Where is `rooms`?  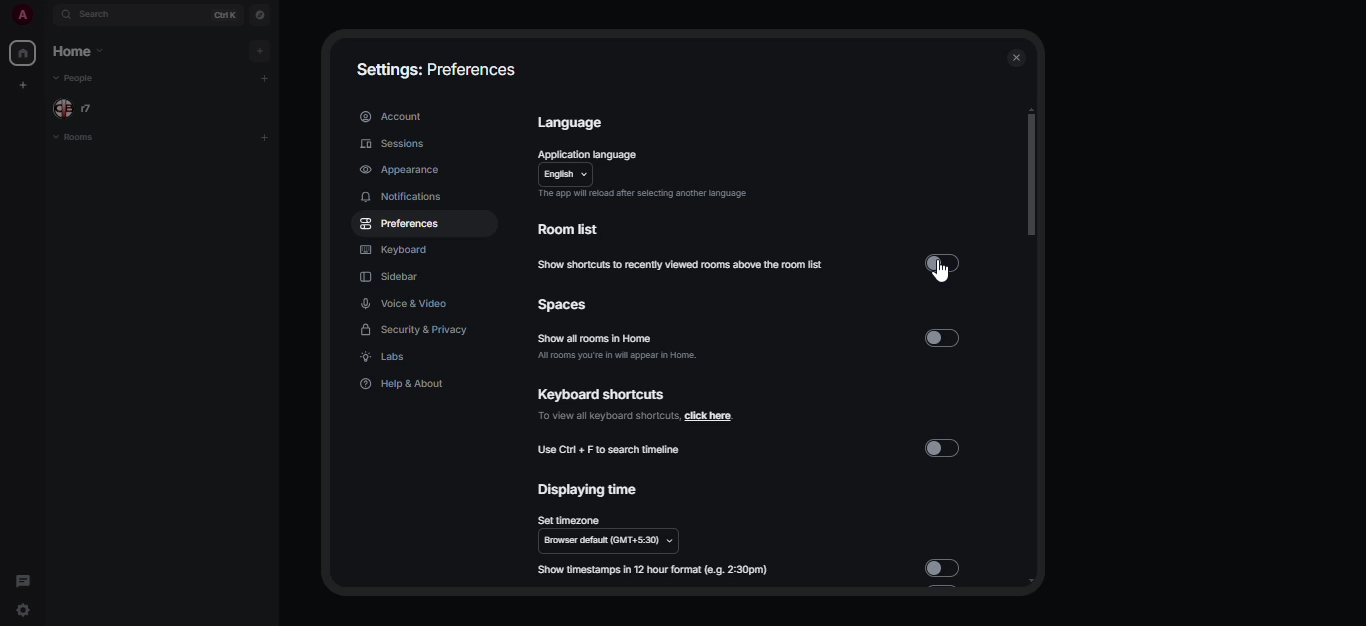 rooms is located at coordinates (96, 141).